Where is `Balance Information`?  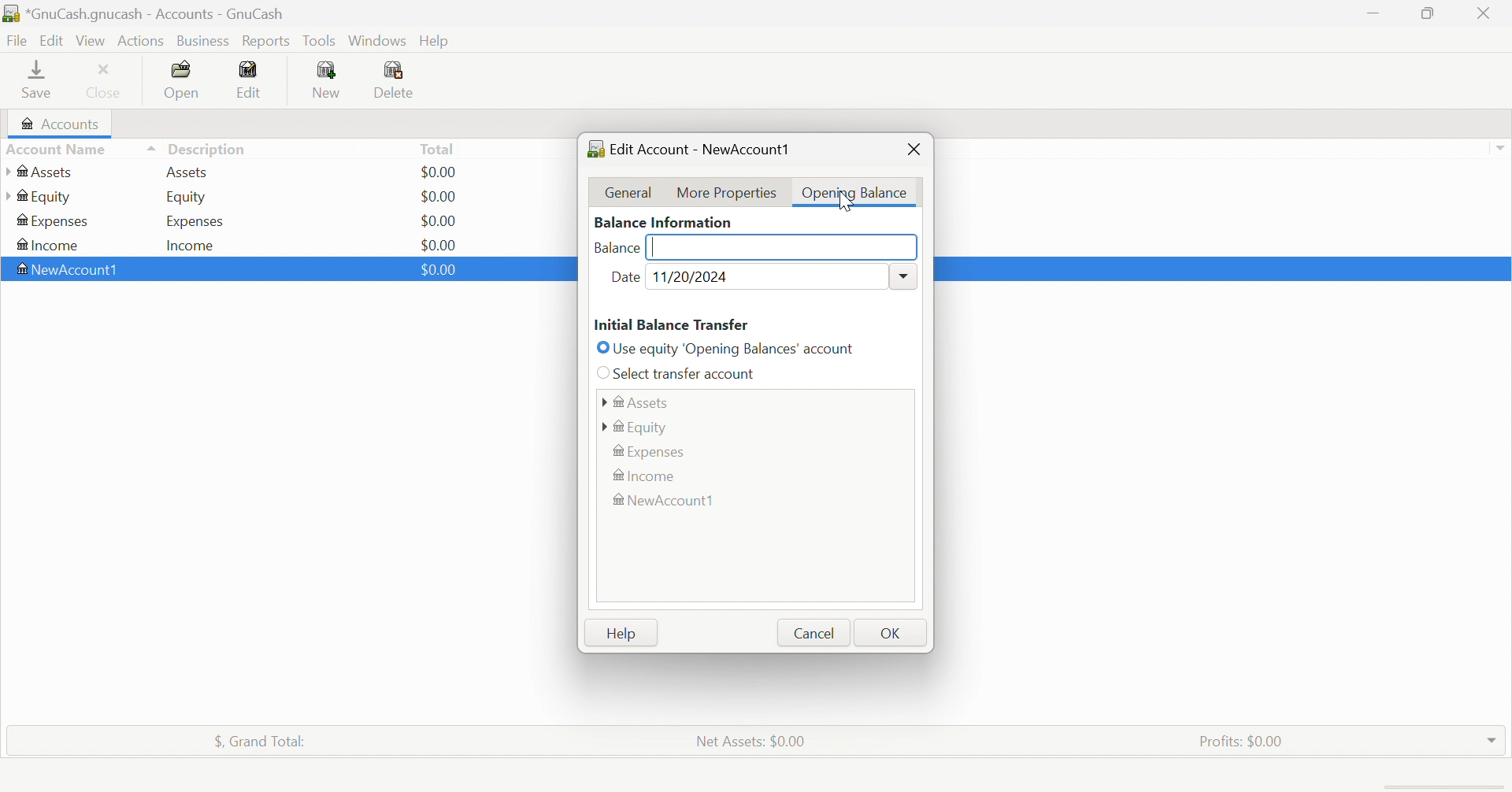
Balance Information is located at coordinates (665, 220).